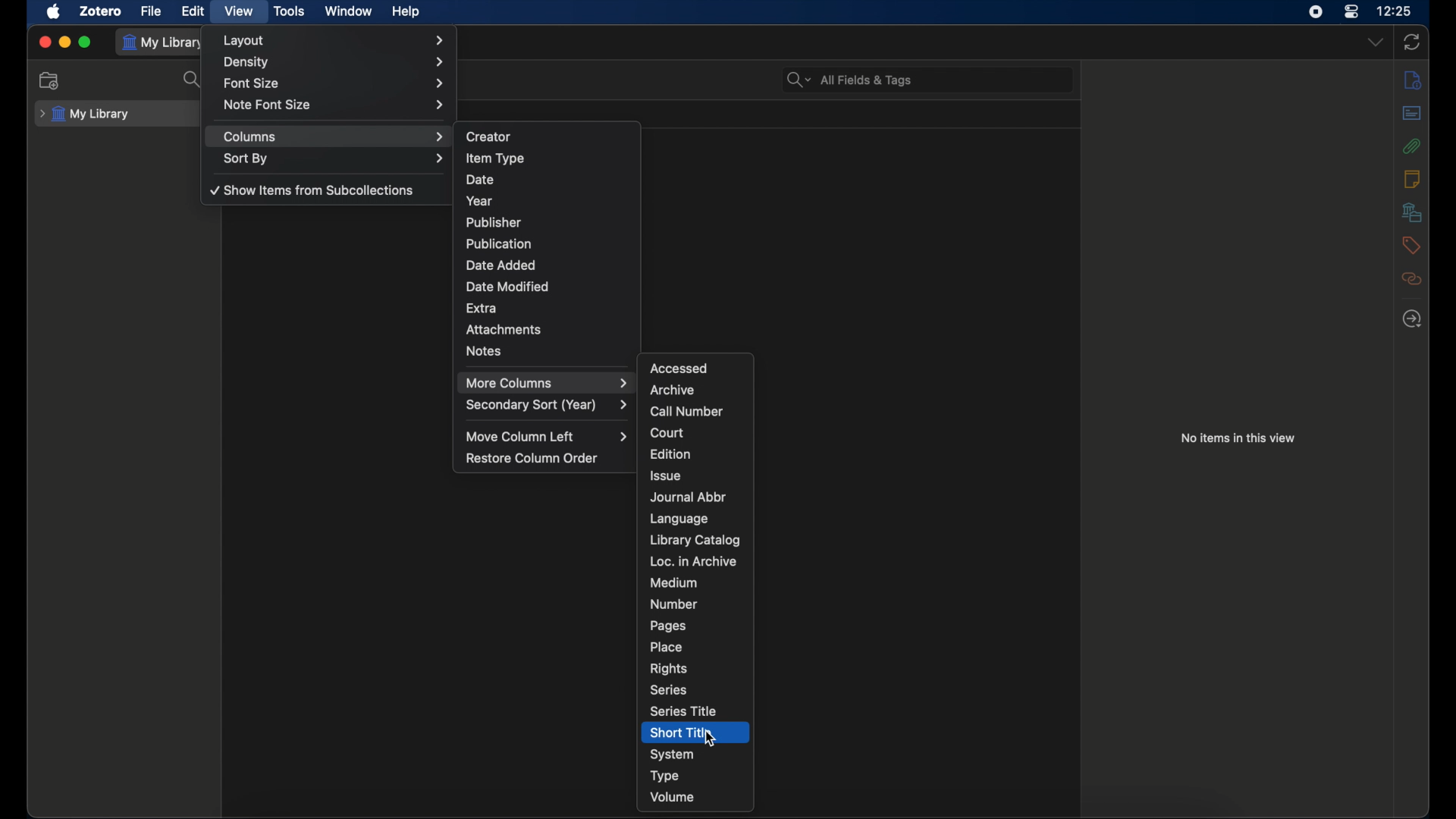 This screenshot has width=1456, height=819. I want to click on date added, so click(500, 264).